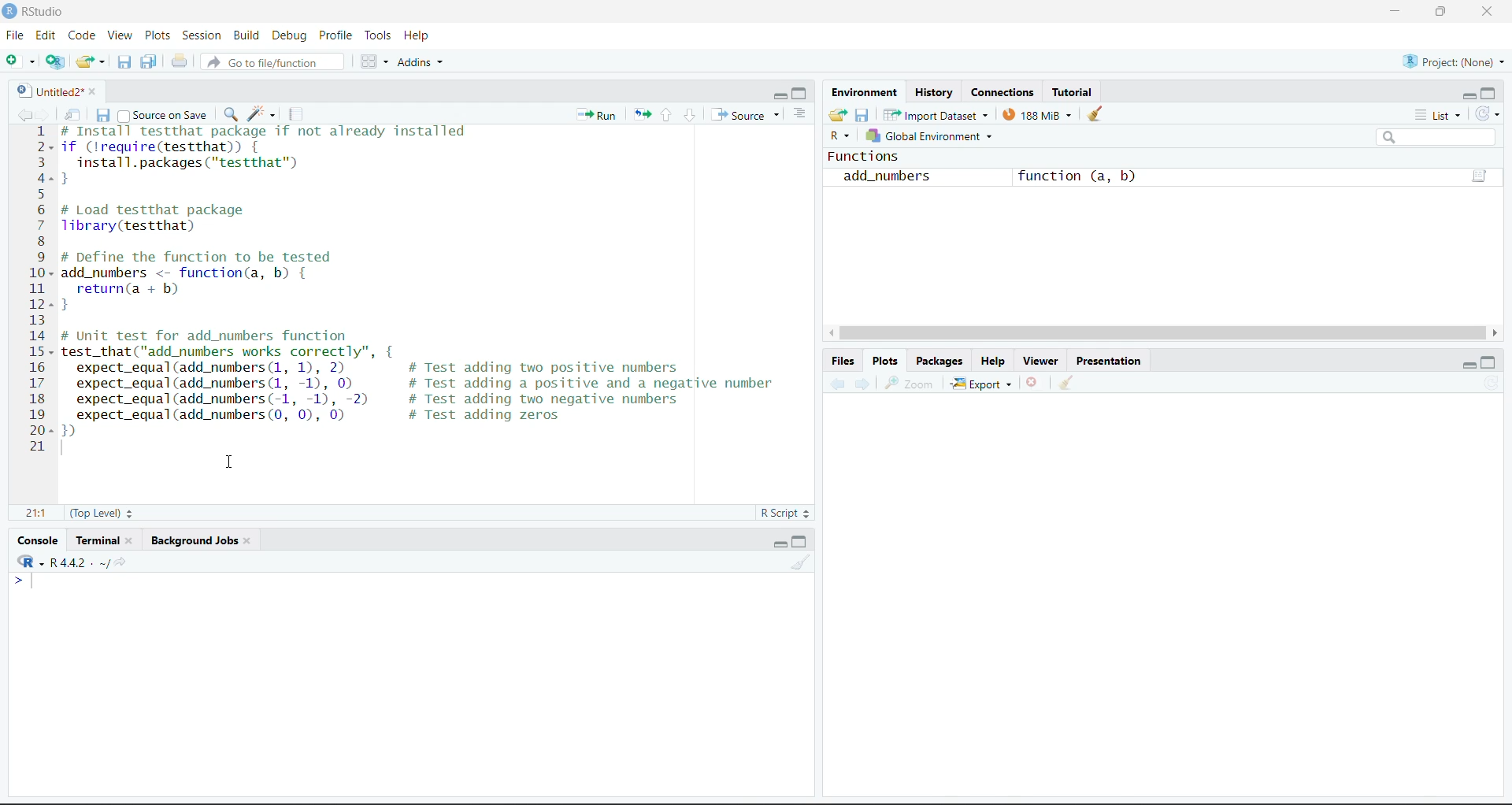  I want to click on cursor, so click(232, 462).